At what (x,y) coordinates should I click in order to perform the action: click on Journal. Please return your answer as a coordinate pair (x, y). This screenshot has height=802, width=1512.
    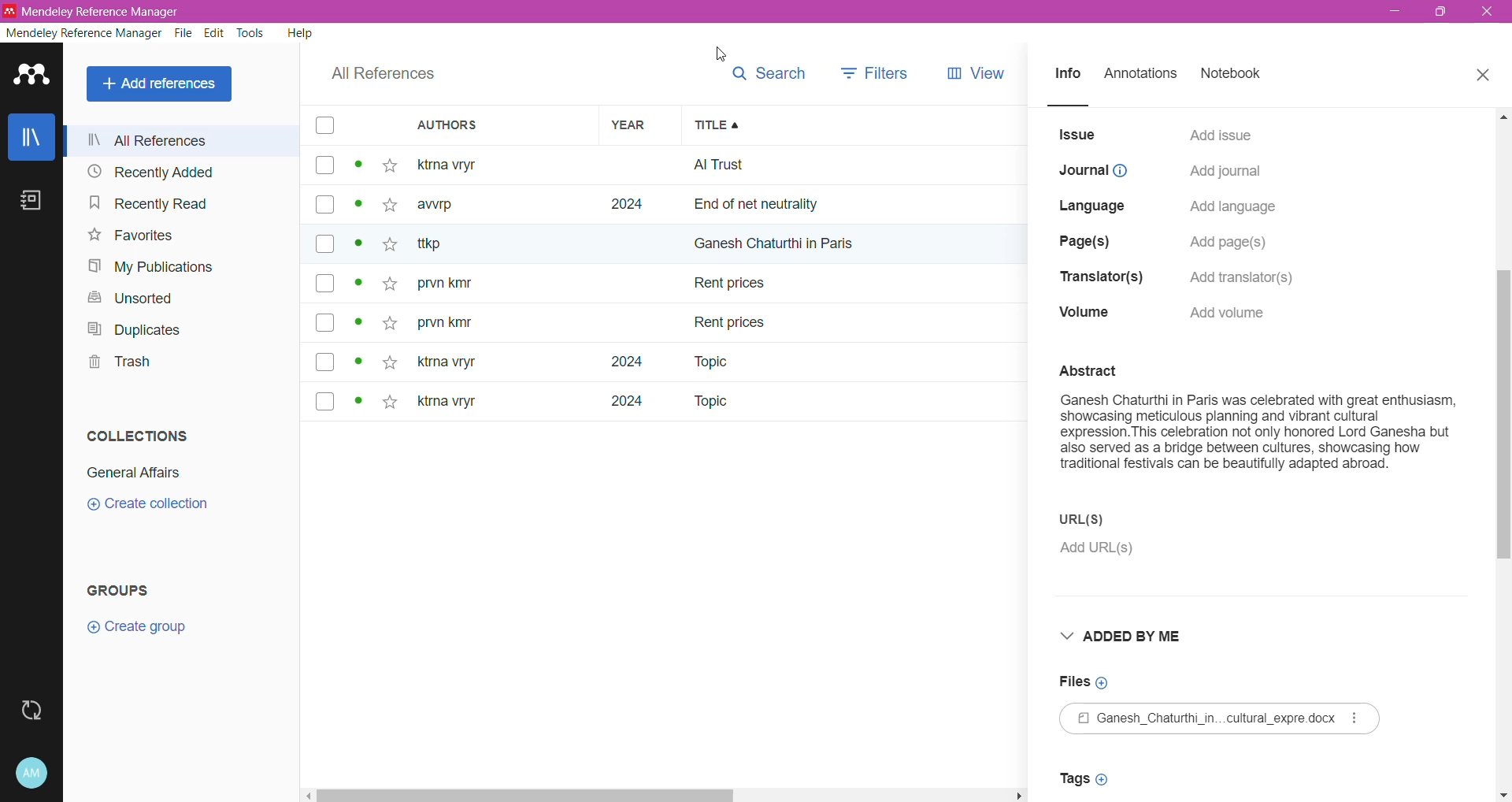
    Looking at the image, I should click on (1094, 171).